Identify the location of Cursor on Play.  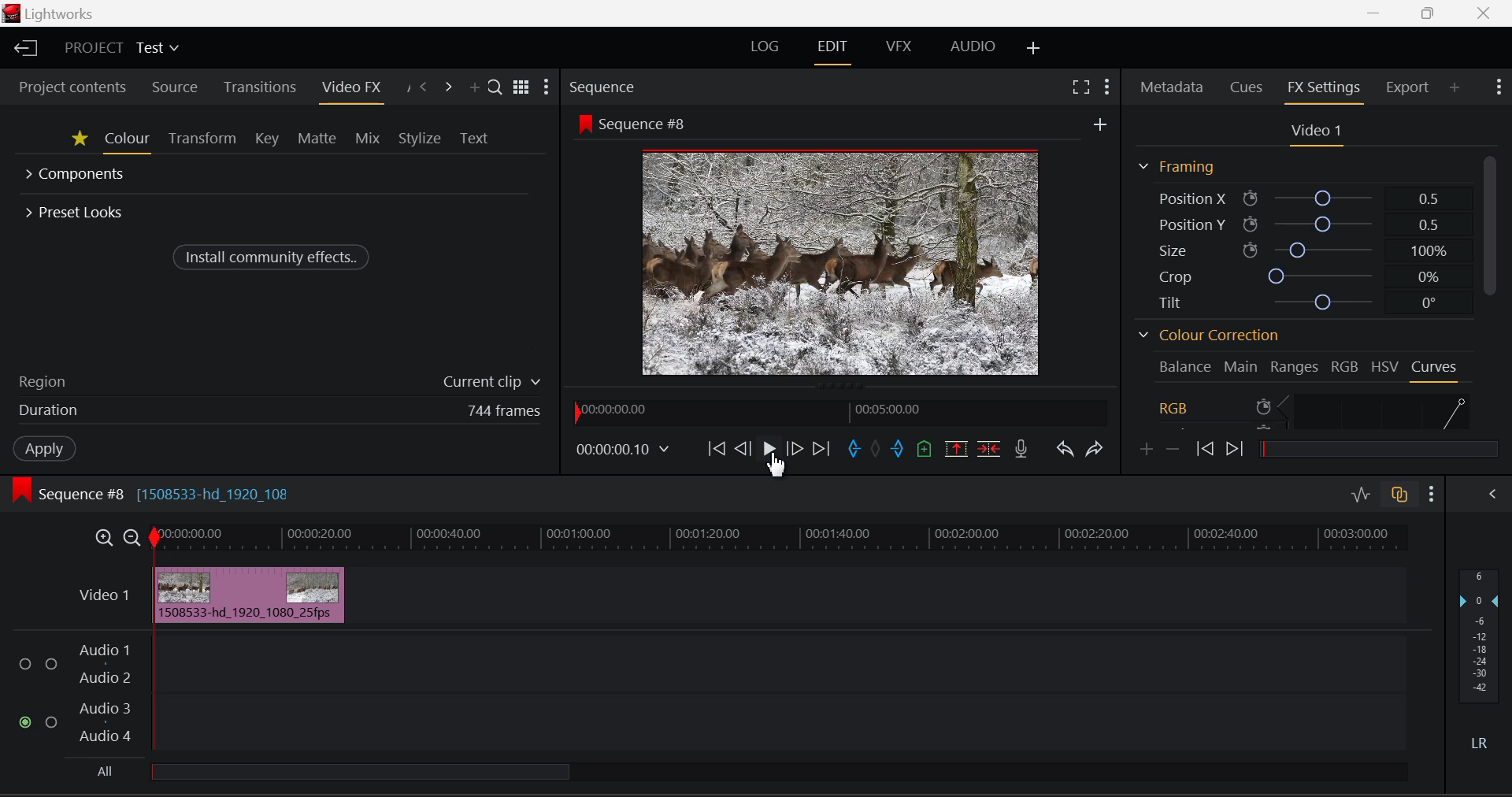
(766, 449).